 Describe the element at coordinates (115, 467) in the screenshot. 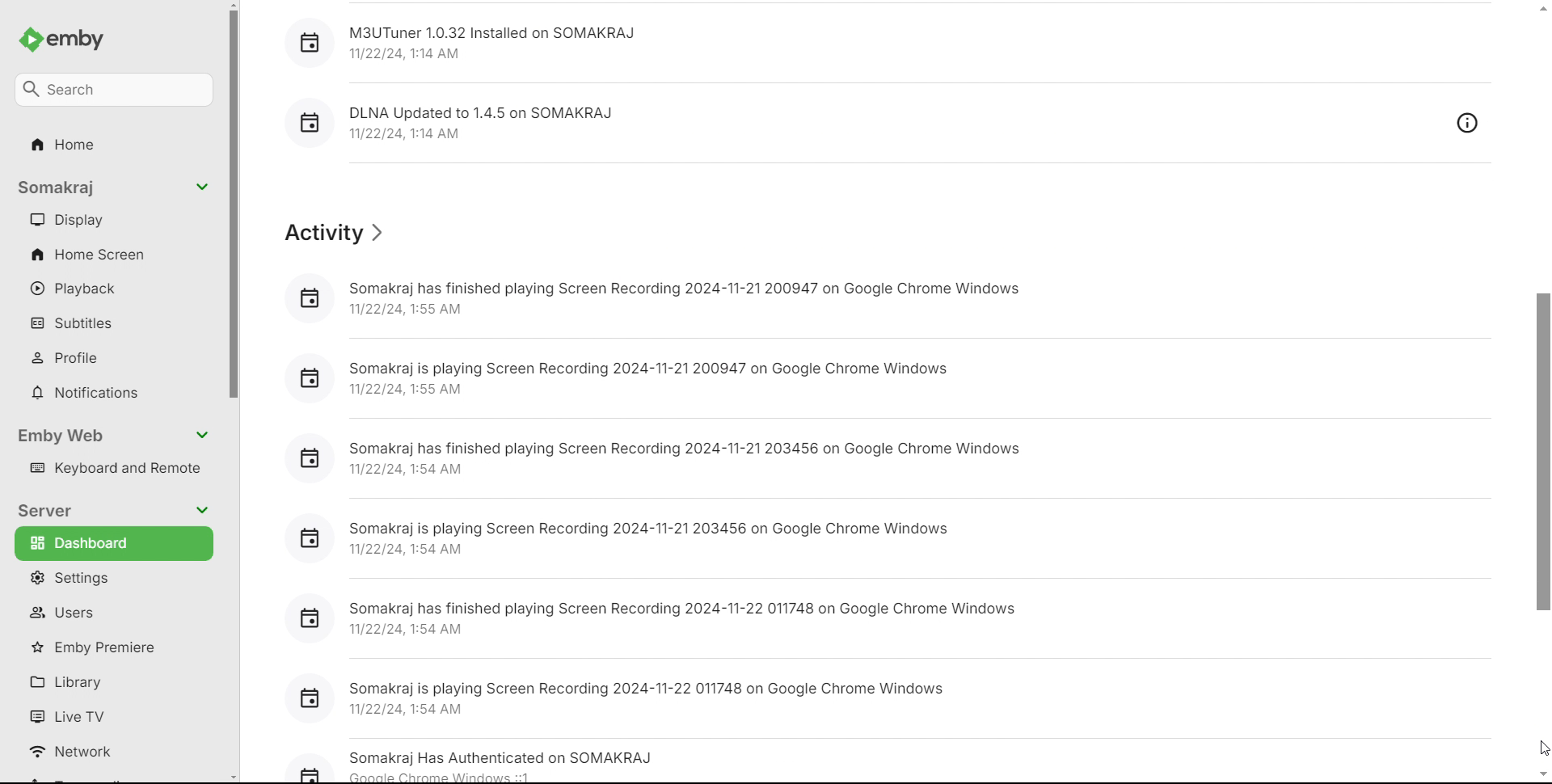

I see `keyboard and remote` at that location.